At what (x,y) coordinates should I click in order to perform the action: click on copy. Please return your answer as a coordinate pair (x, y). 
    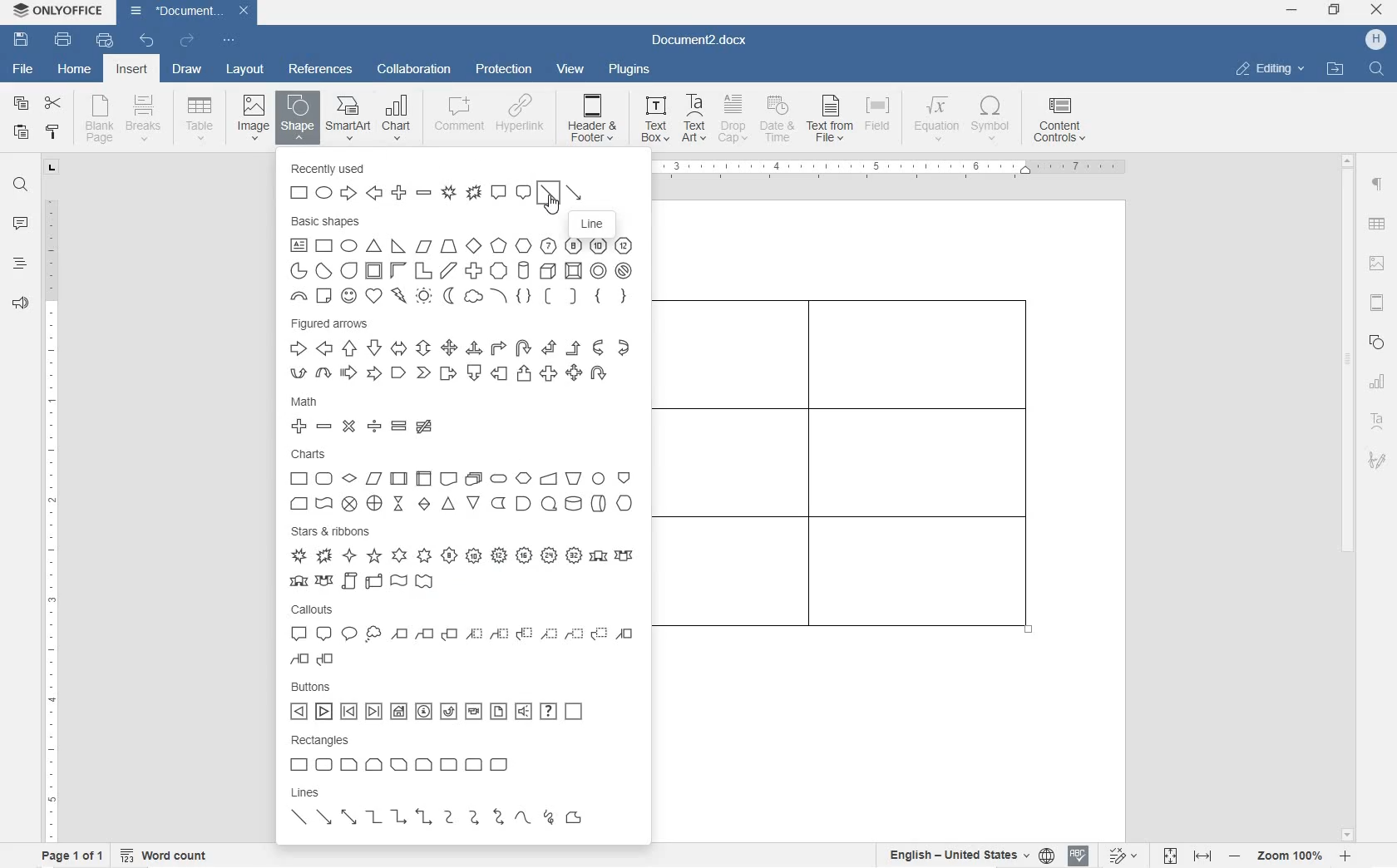
    Looking at the image, I should click on (22, 106).